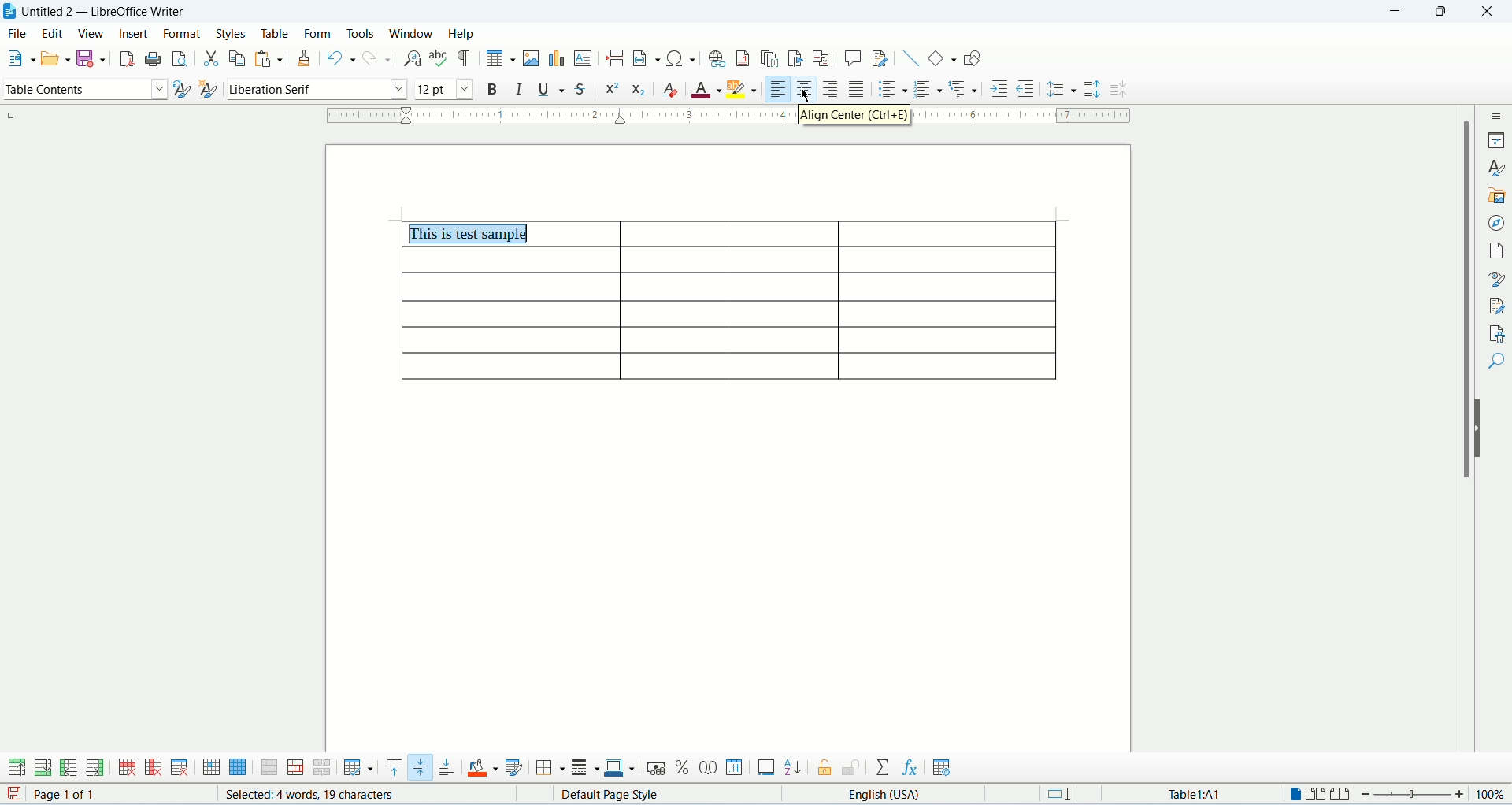 Image resolution: width=1512 pixels, height=805 pixels. I want to click on gallery, so click(1499, 194).